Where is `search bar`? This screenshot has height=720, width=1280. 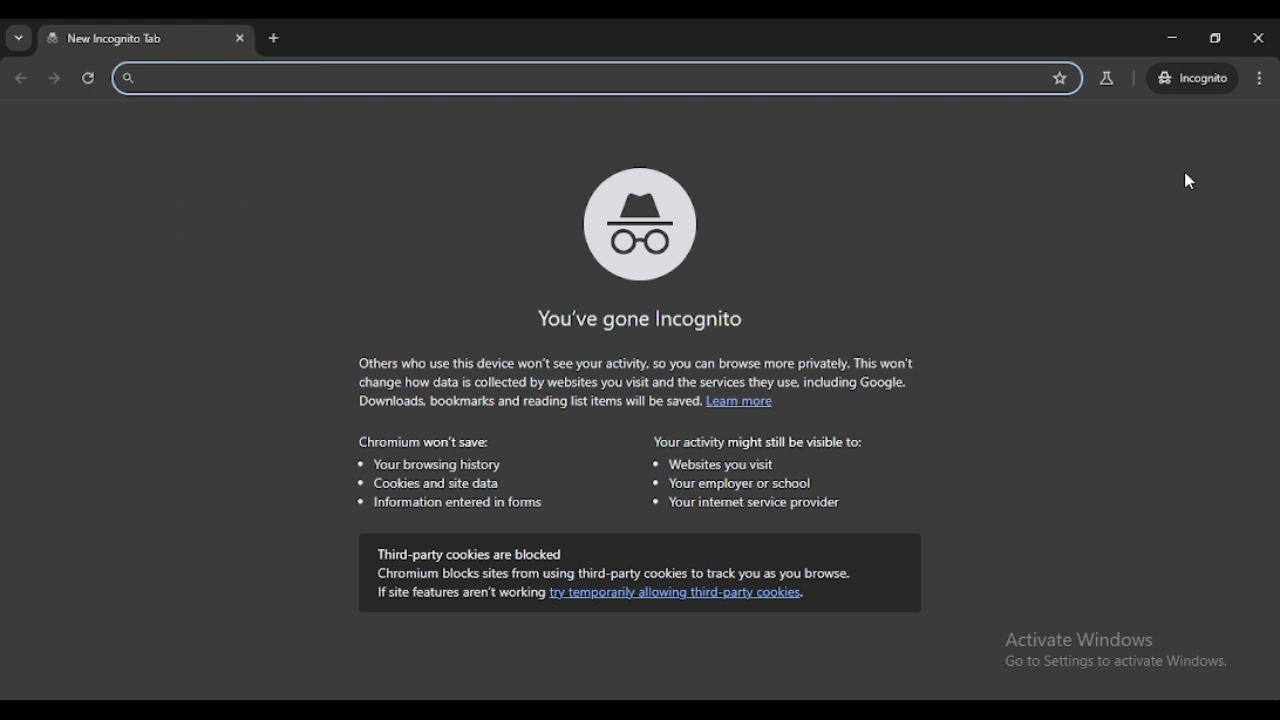
search bar is located at coordinates (568, 78).